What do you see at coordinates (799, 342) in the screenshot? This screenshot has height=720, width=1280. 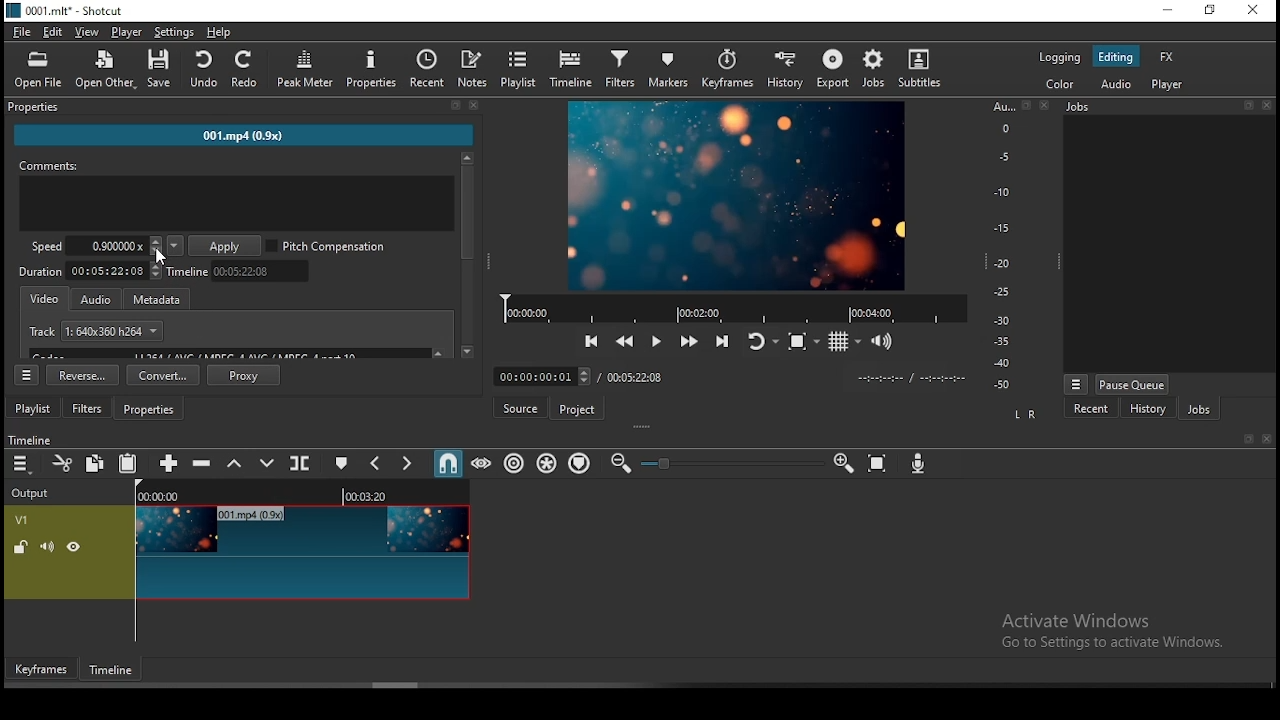 I see `toggle zoom` at bounding box center [799, 342].